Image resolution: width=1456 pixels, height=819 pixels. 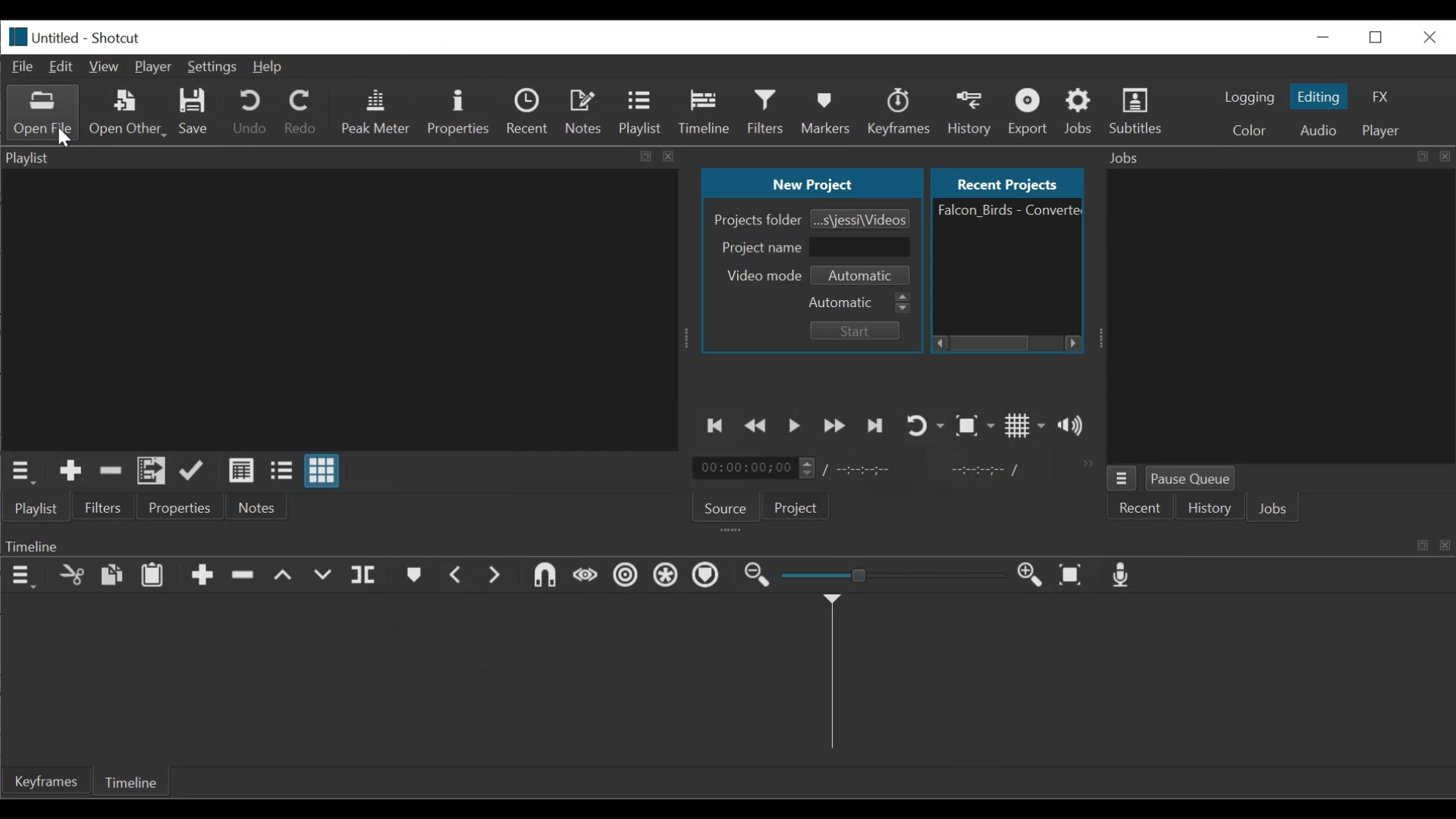 What do you see at coordinates (202, 577) in the screenshot?
I see `Append` at bounding box center [202, 577].